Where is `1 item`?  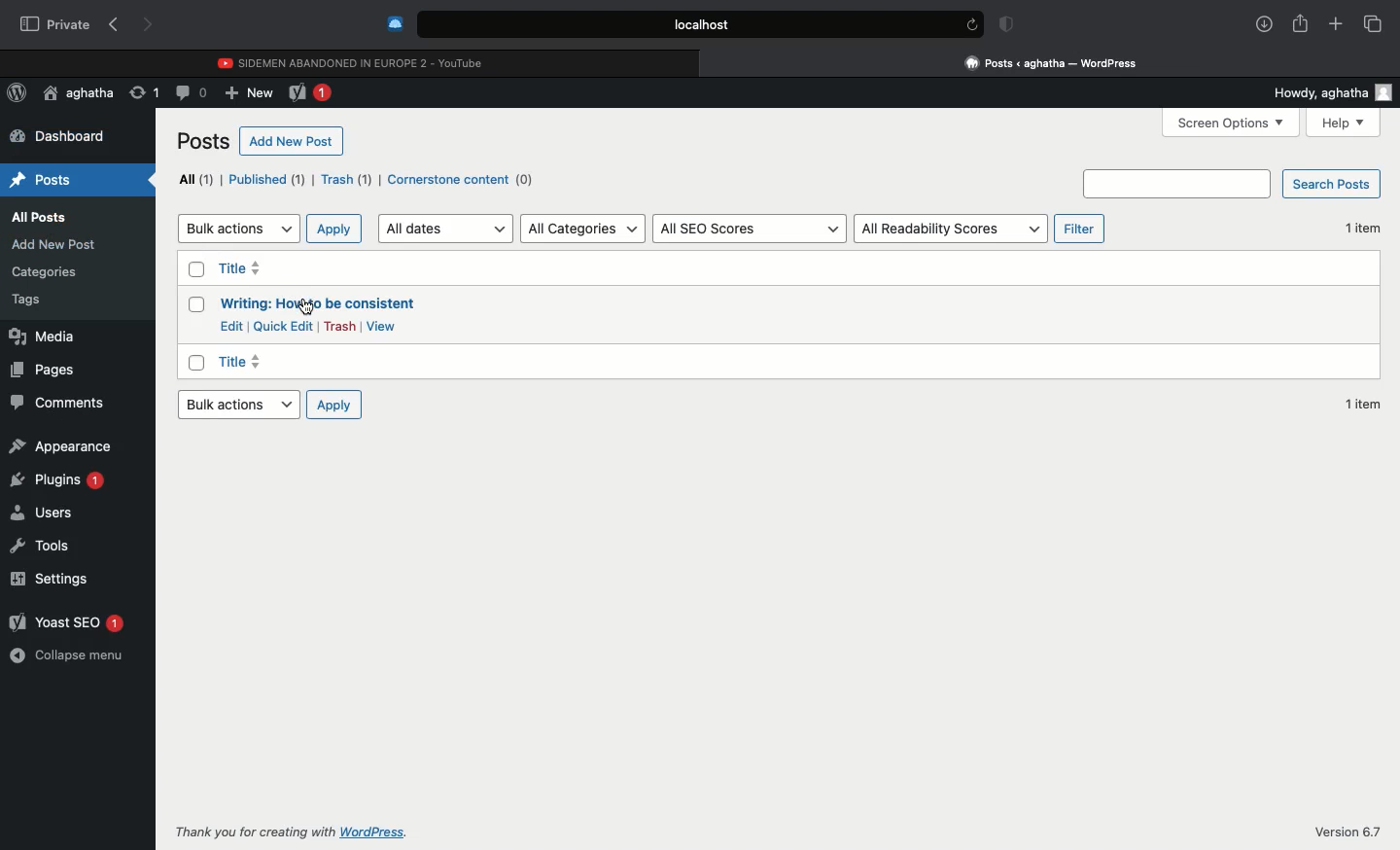 1 item is located at coordinates (1366, 403).